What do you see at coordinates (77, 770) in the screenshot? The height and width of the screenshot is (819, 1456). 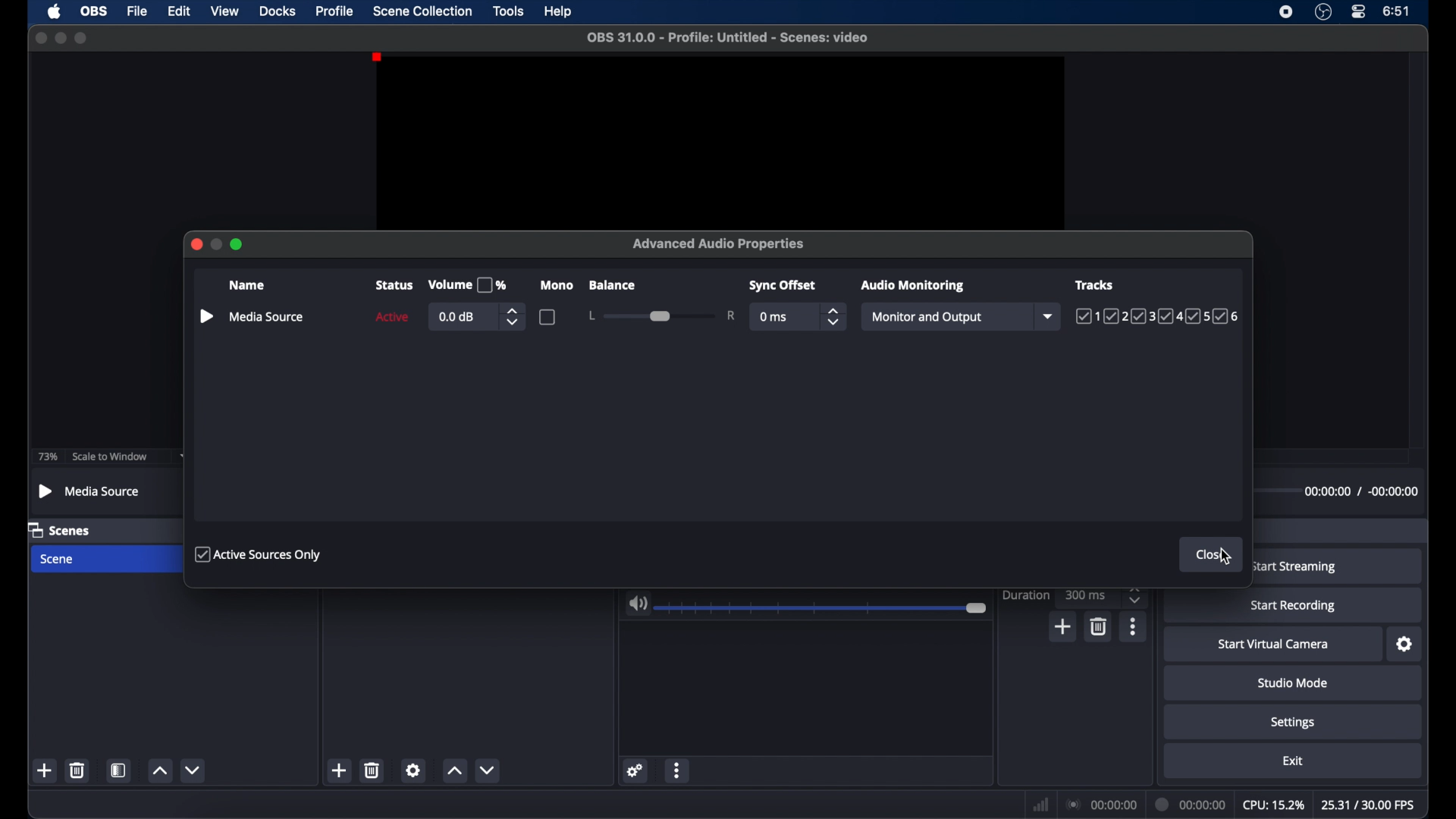 I see `delete` at bounding box center [77, 770].